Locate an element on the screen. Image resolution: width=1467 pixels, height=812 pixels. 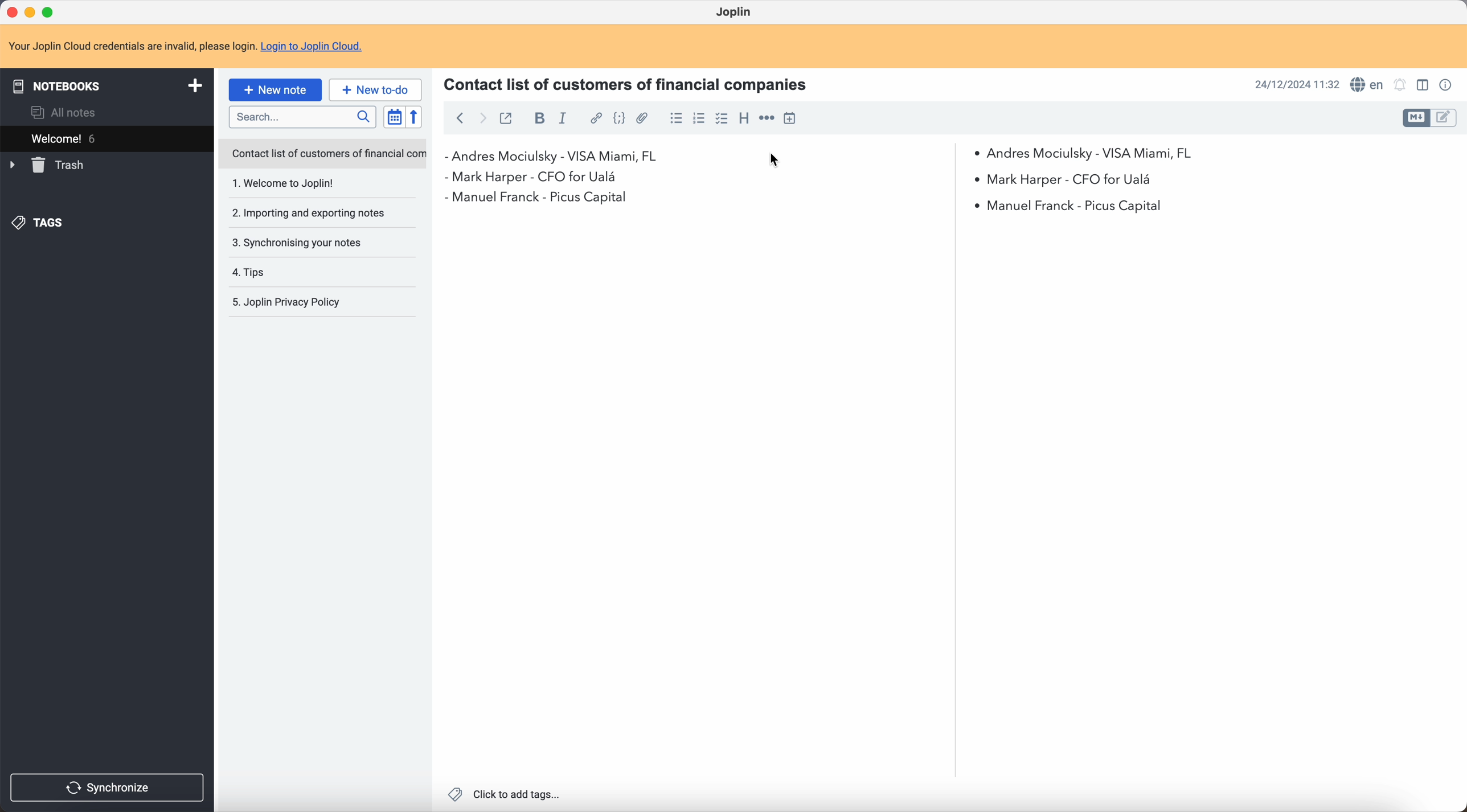
numbered list is located at coordinates (700, 118).